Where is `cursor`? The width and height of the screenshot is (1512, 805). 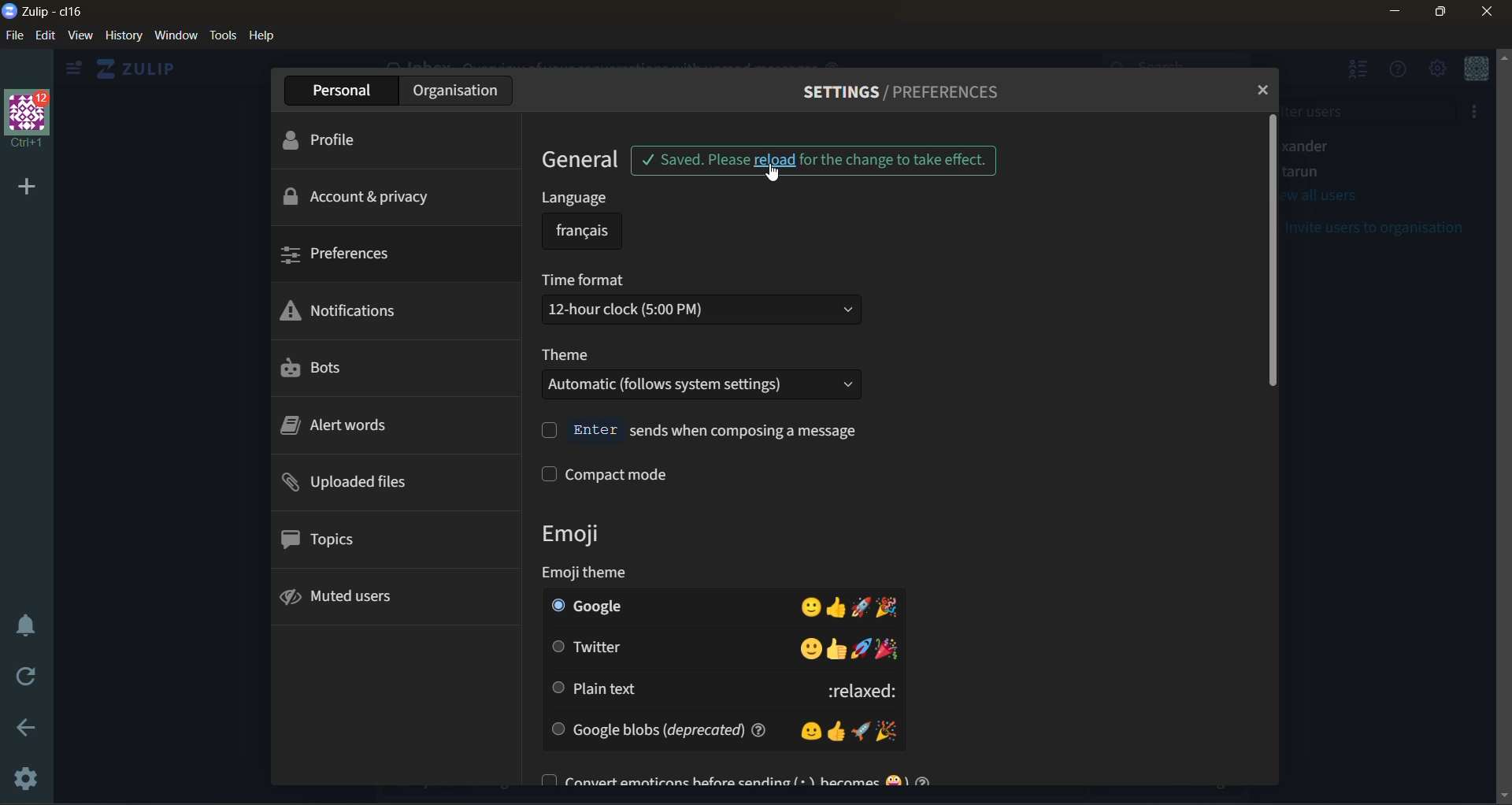
cursor is located at coordinates (779, 176).